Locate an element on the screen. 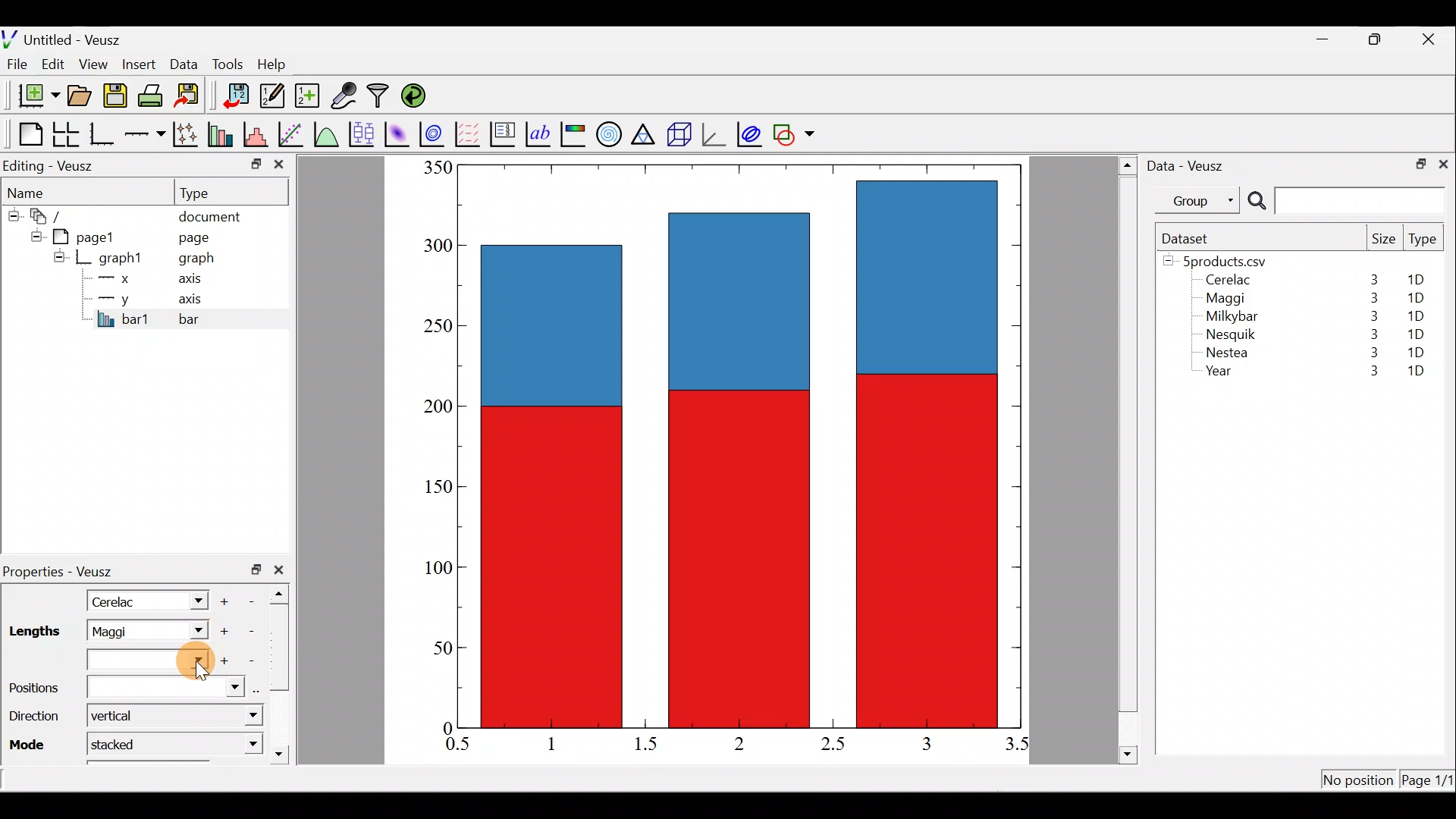 The image size is (1456, 819). 250 is located at coordinates (434, 325).